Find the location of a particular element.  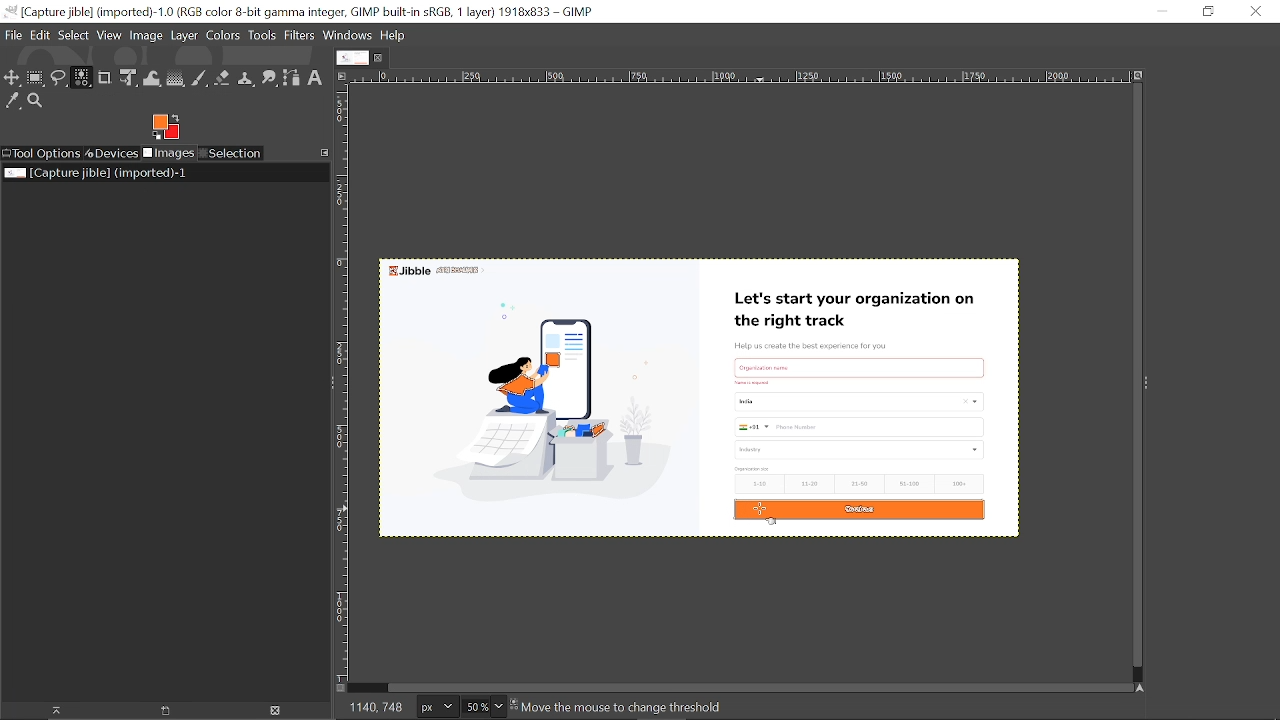

Close current tab is located at coordinates (383, 57).